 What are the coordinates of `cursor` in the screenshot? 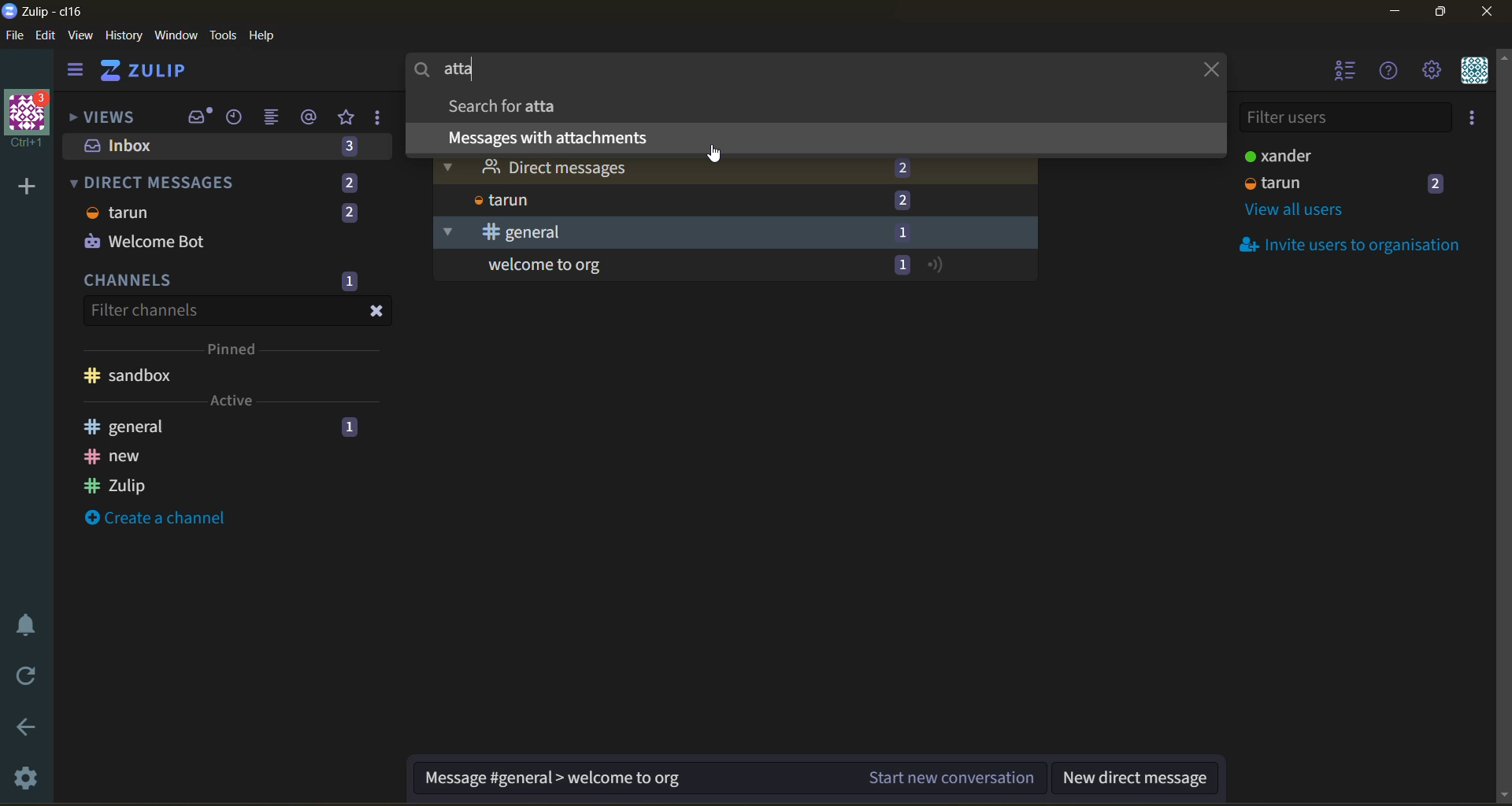 It's located at (715, 151).